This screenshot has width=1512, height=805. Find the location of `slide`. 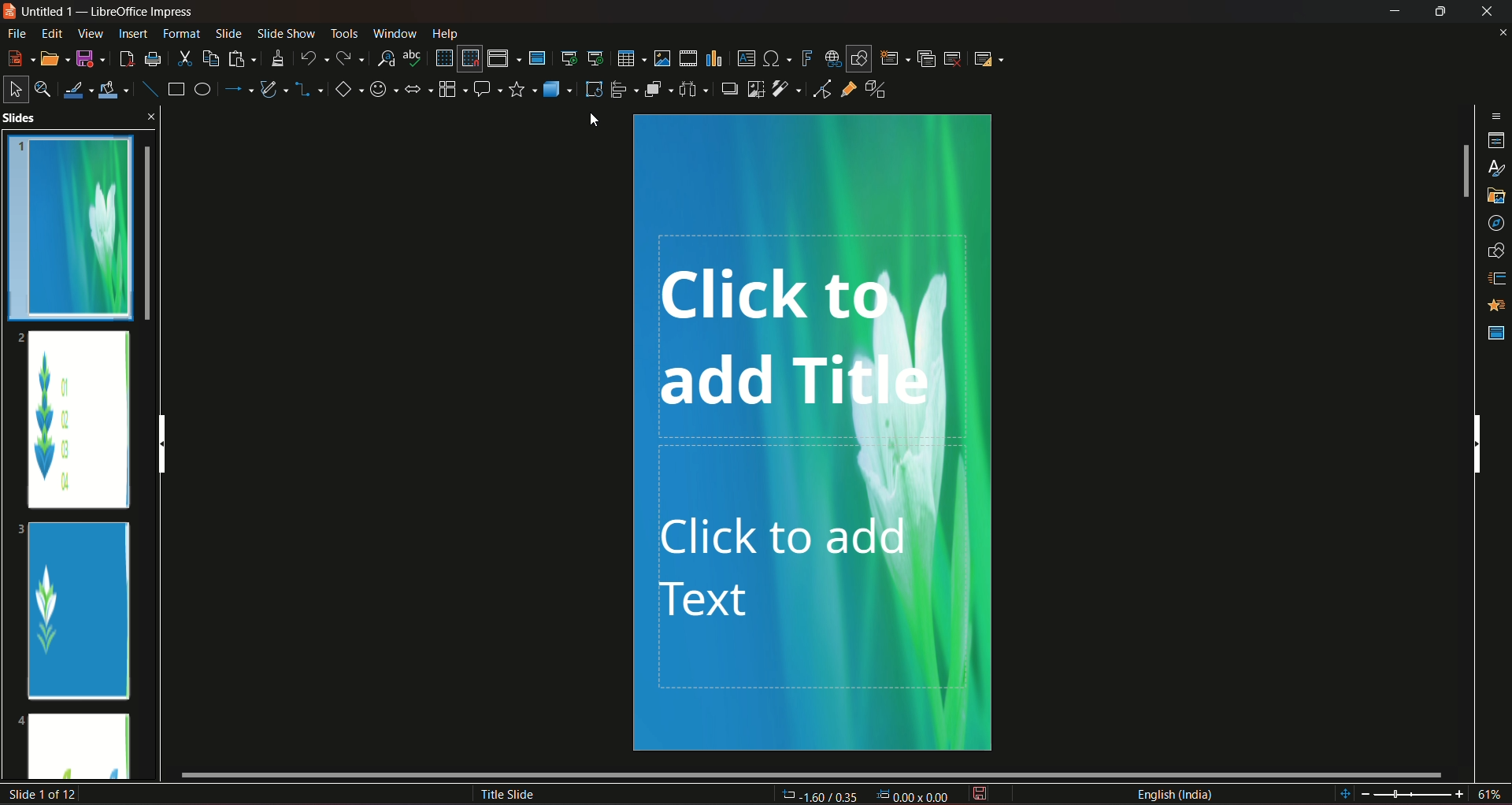

slide is located at coordinates (228, 33).